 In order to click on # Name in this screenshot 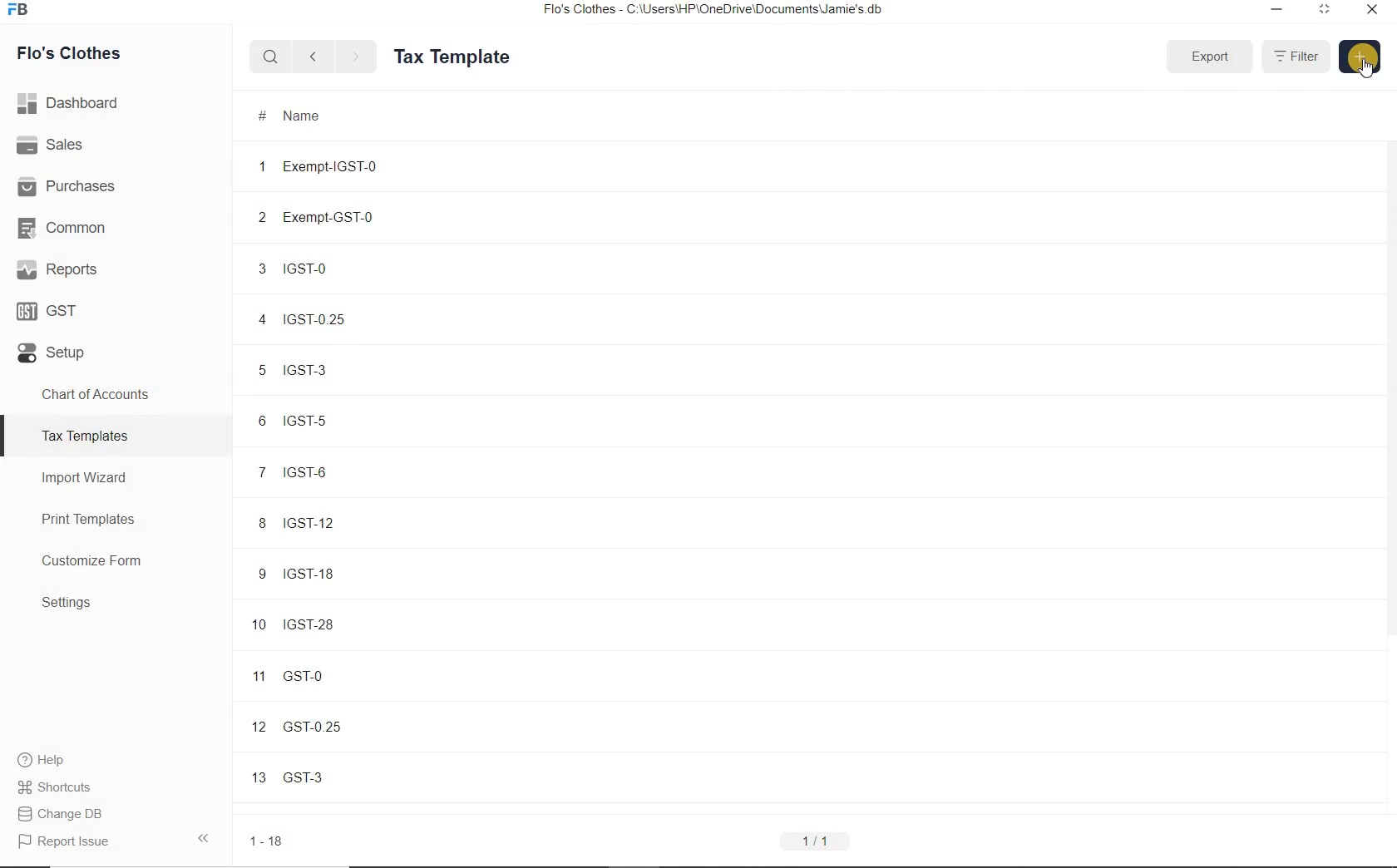, I will do `click(291, 116)`.